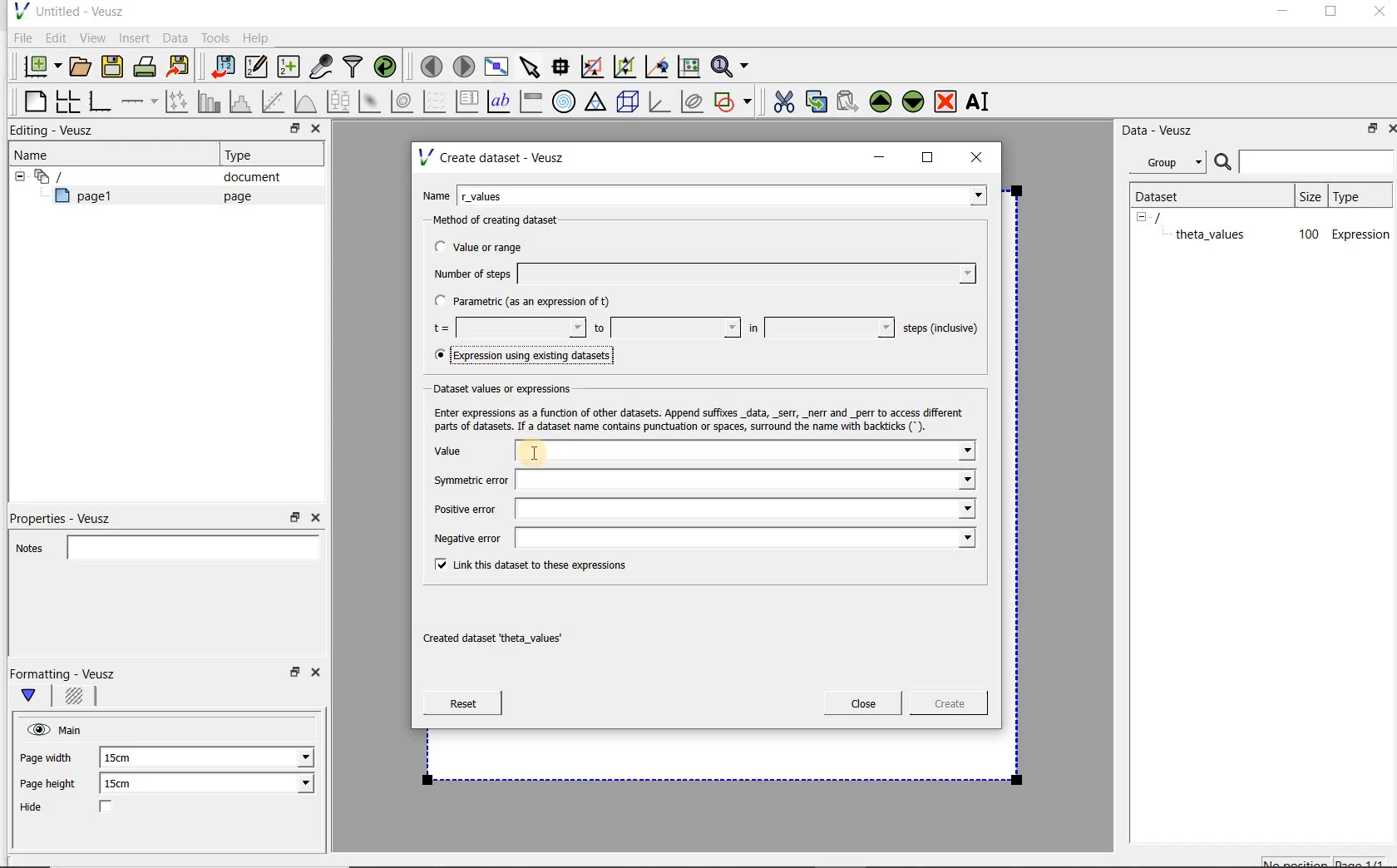 This screenshot has width=1397, height=868. What do you see at coordinates (1358, 195) in the screenshot?
I see `Type` at bounding box center [1358, 195].